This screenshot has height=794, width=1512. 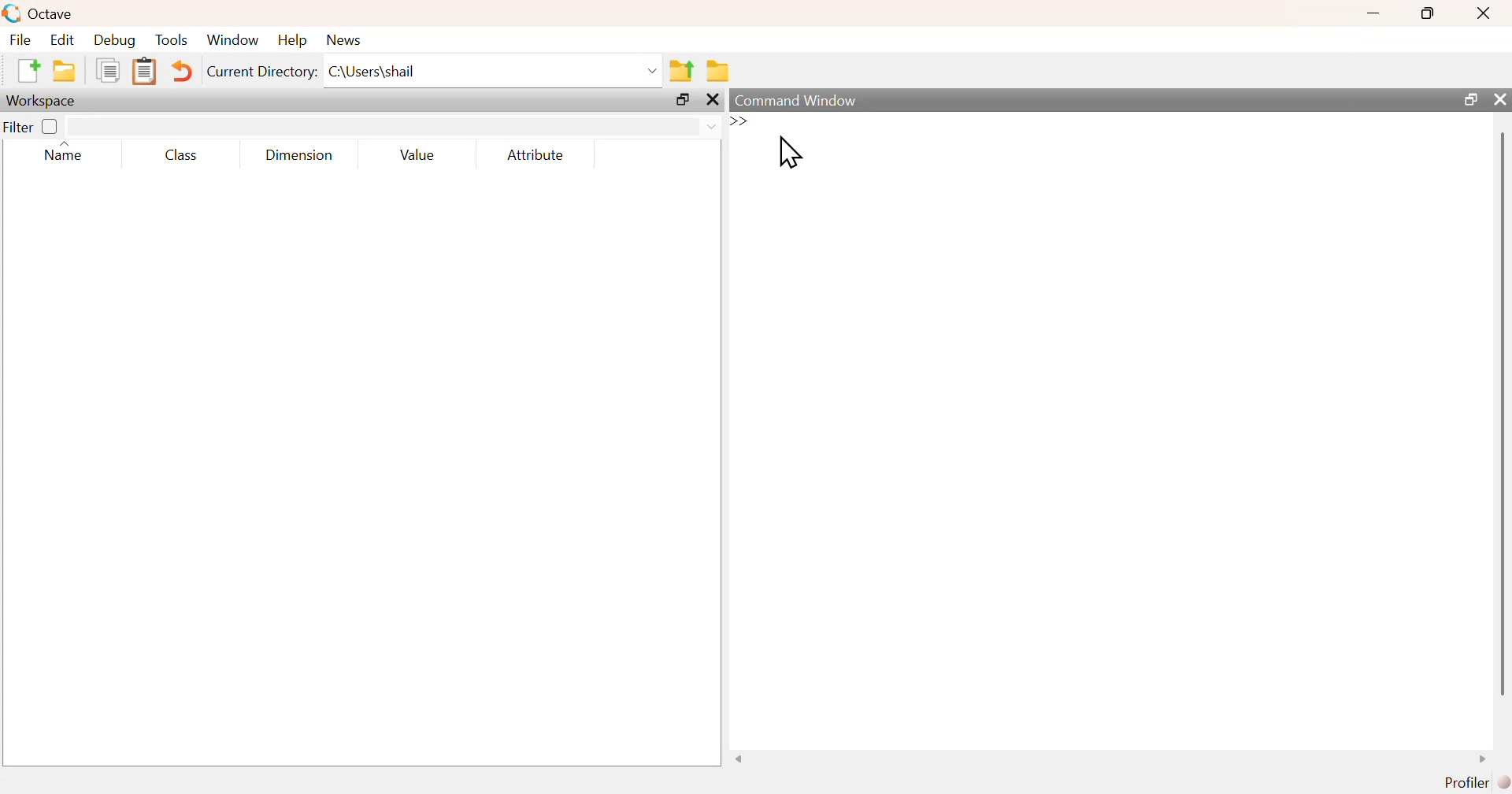 I want to click on Current Directory:, so click(x=263, y=72).